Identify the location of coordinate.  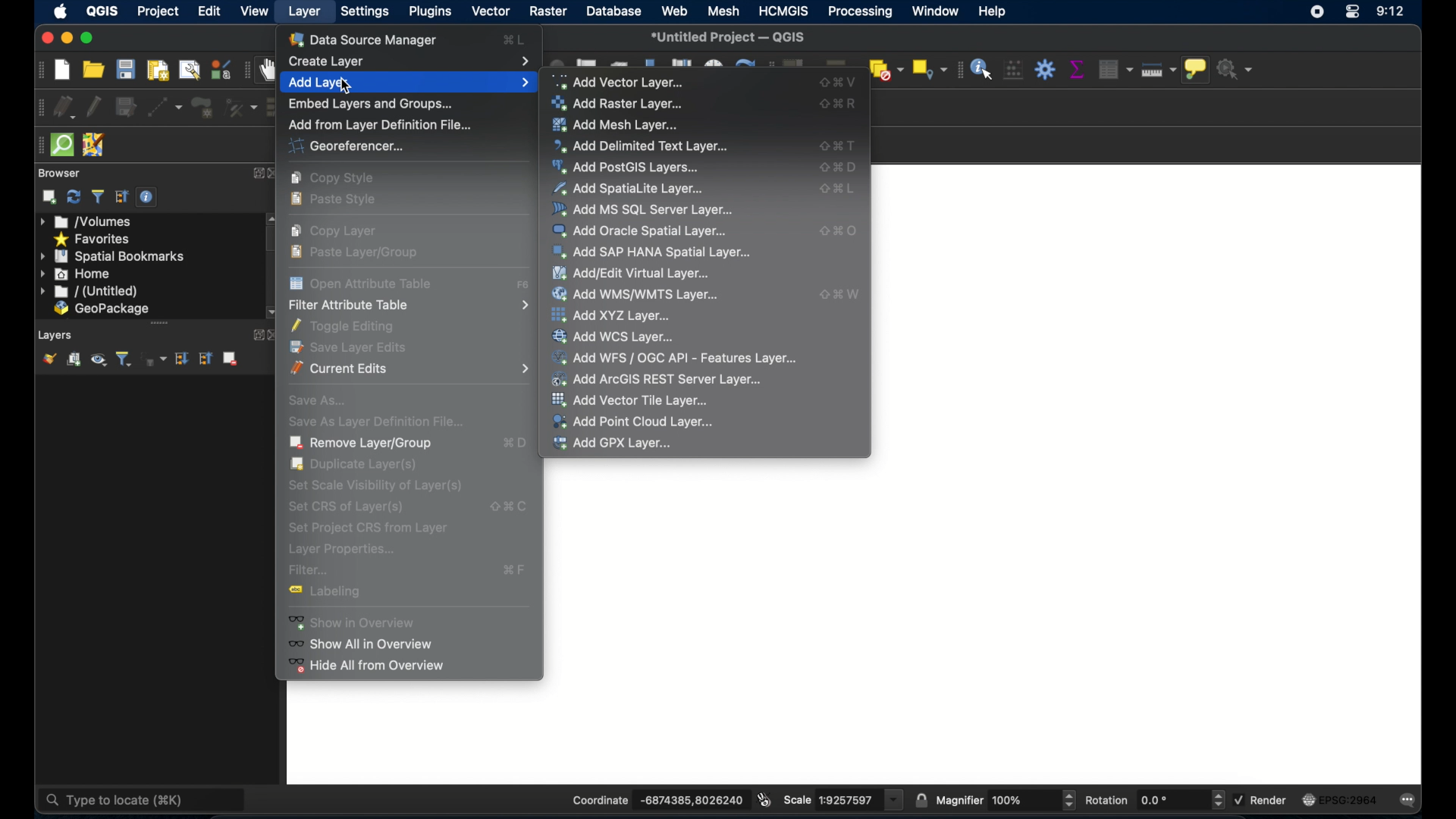
(648, 796).